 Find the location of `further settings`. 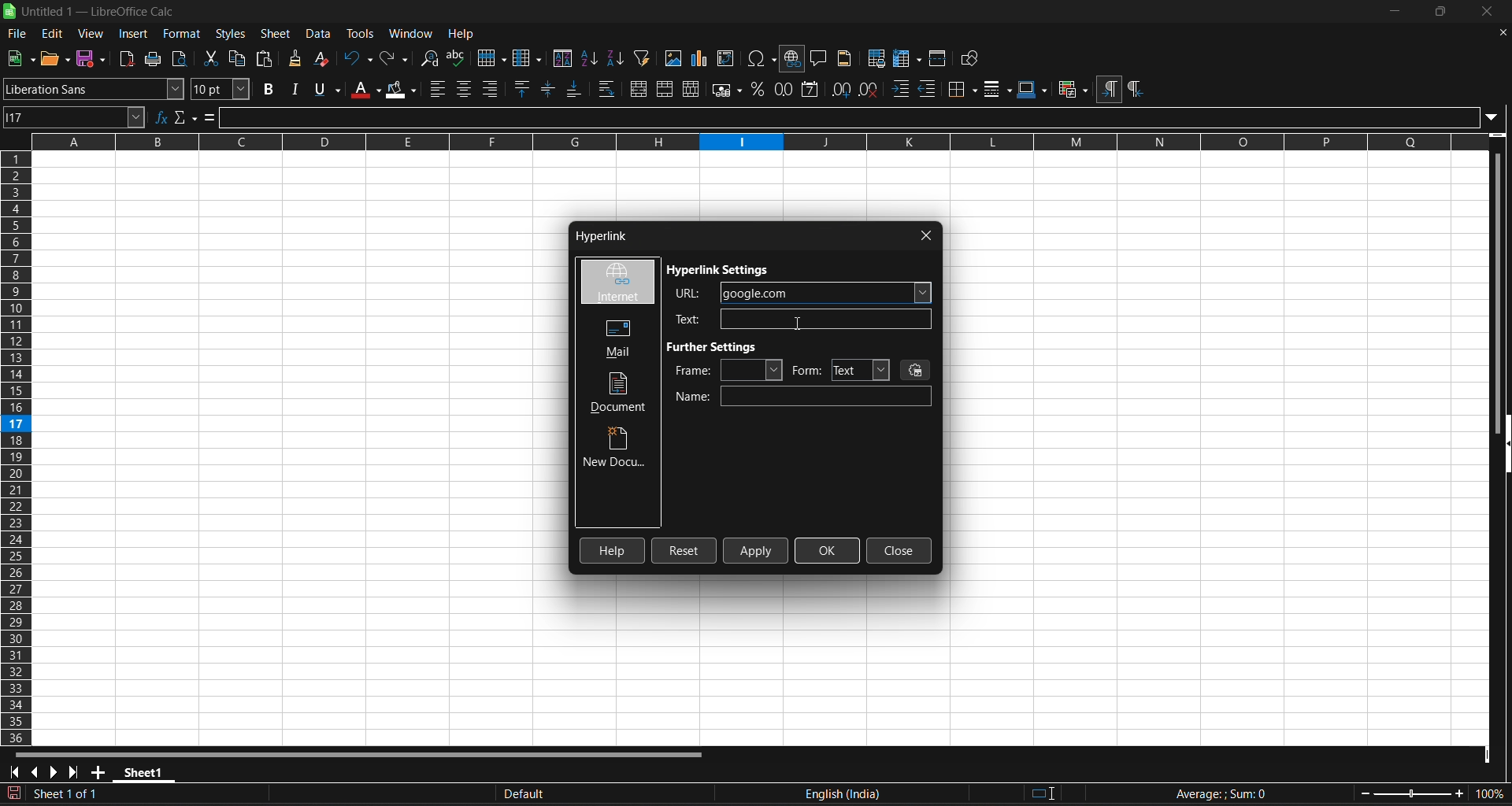

further settings is located at coordinates (717, 346).